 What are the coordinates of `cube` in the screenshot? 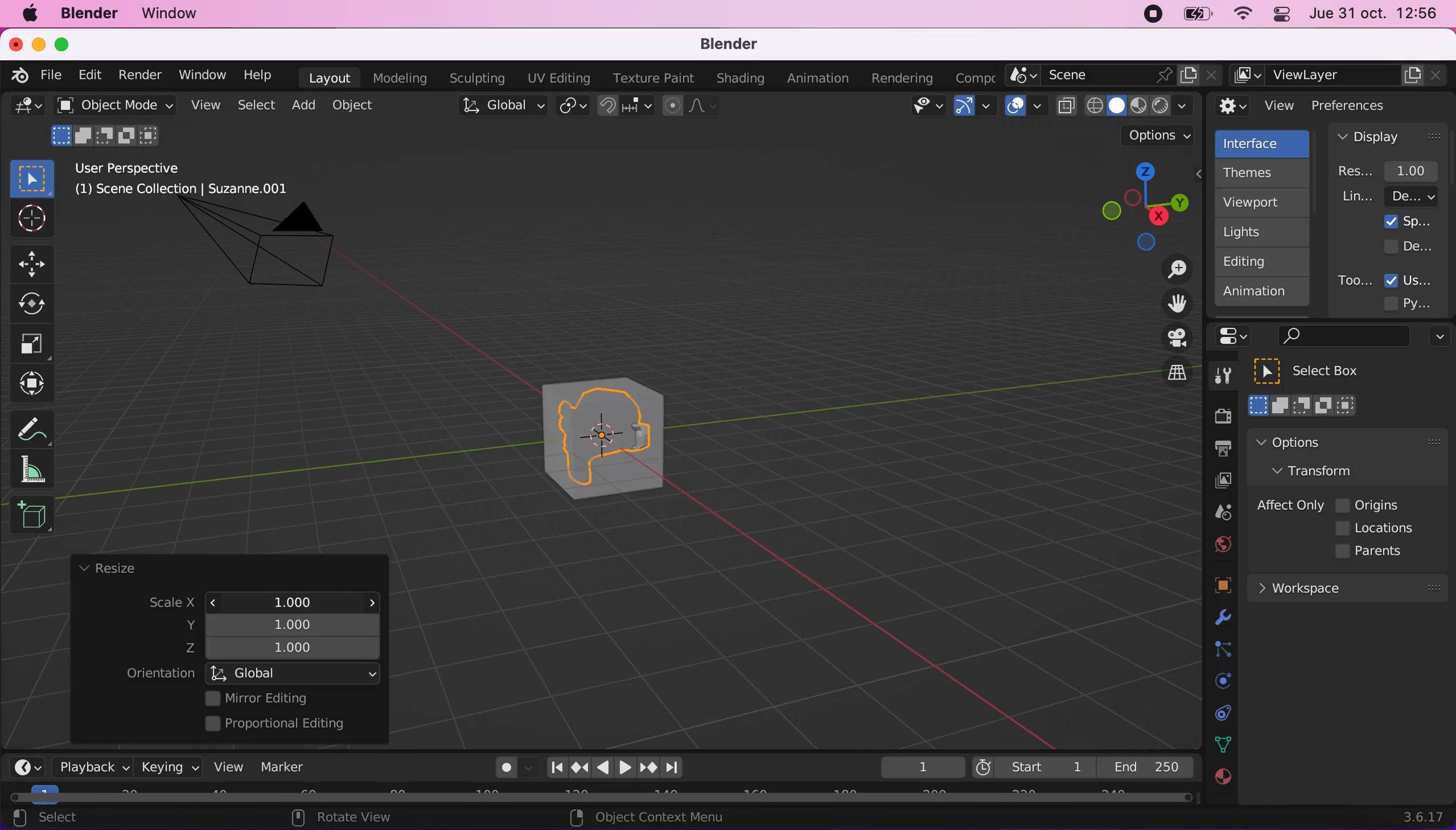 It's located at (629, 440).